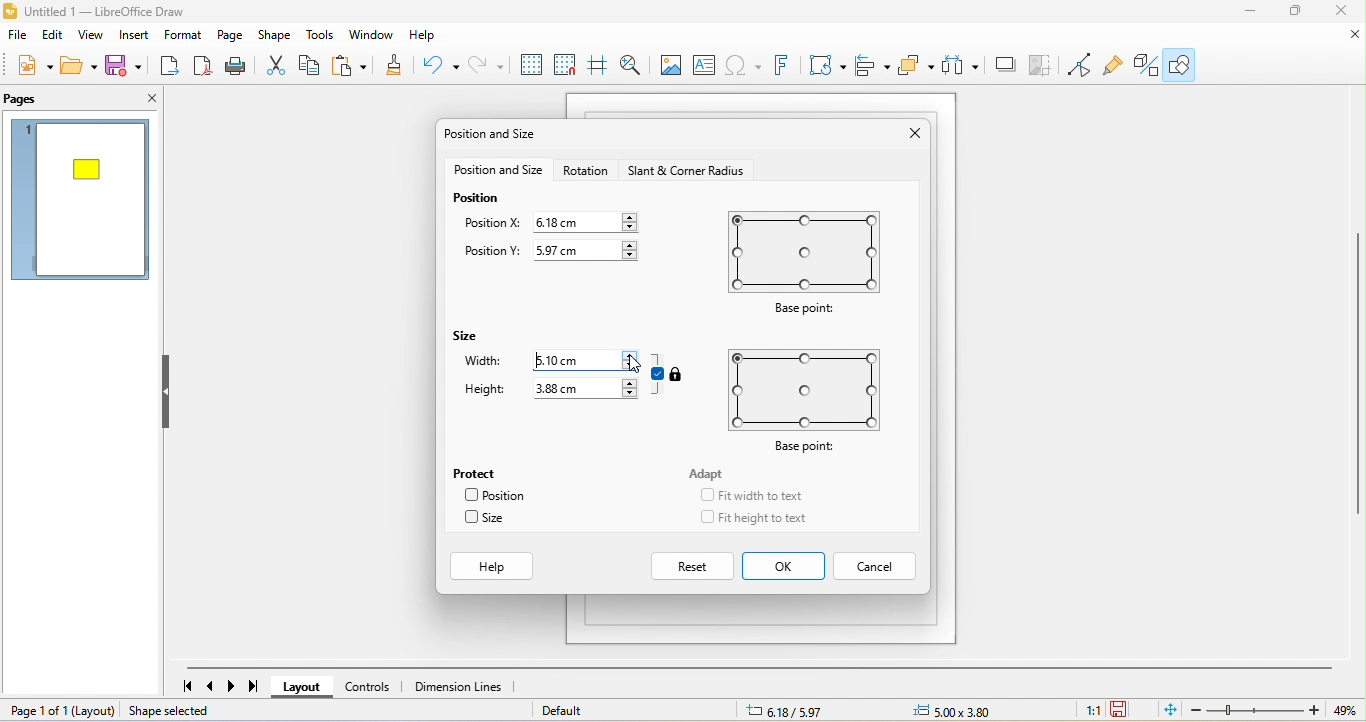  Describe the element at coordinates (315, 64) in the screenshot. I see `copy` at that location.